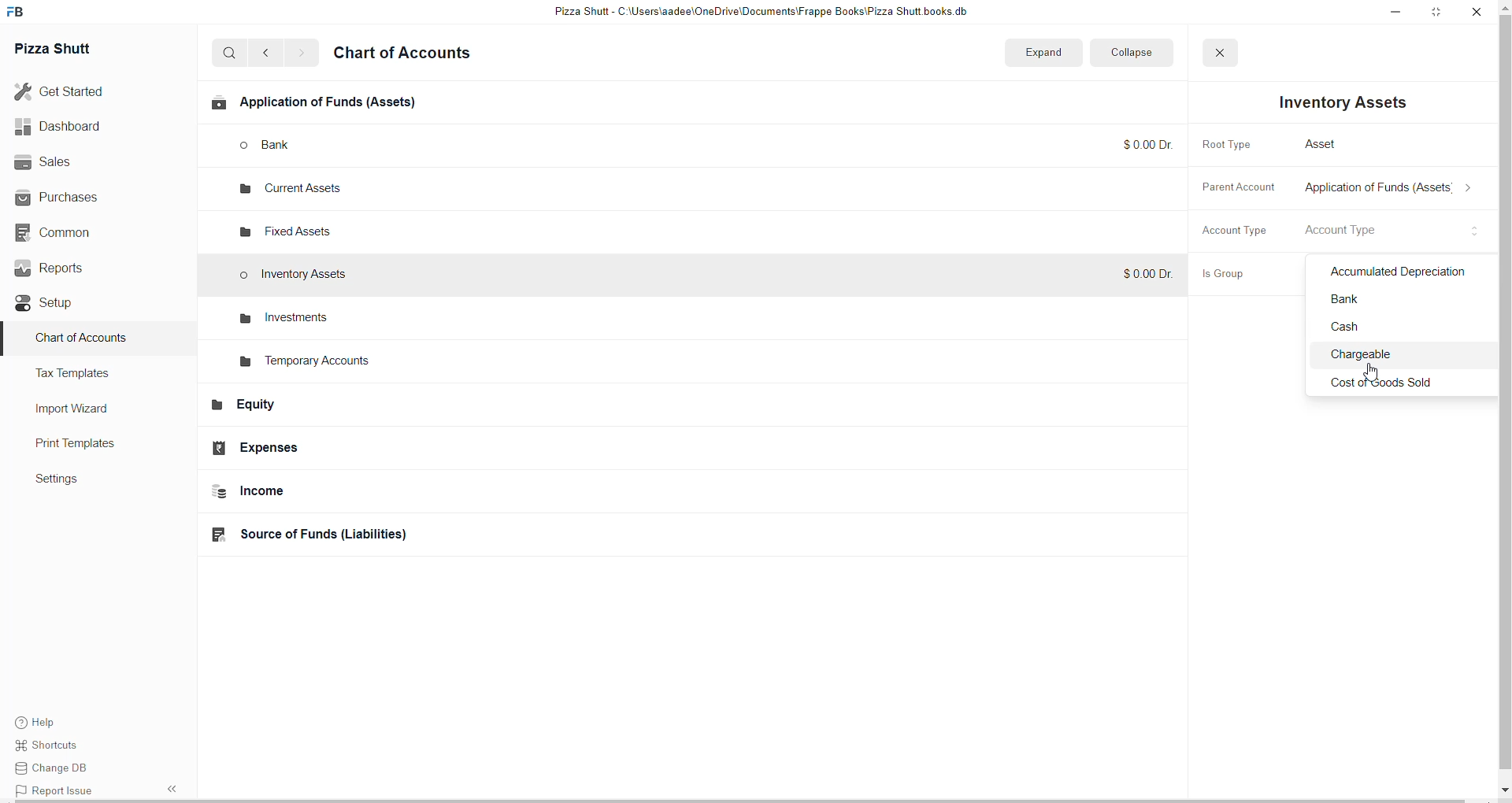  I want to click on $0.00 Dr., so click(1146, 276).